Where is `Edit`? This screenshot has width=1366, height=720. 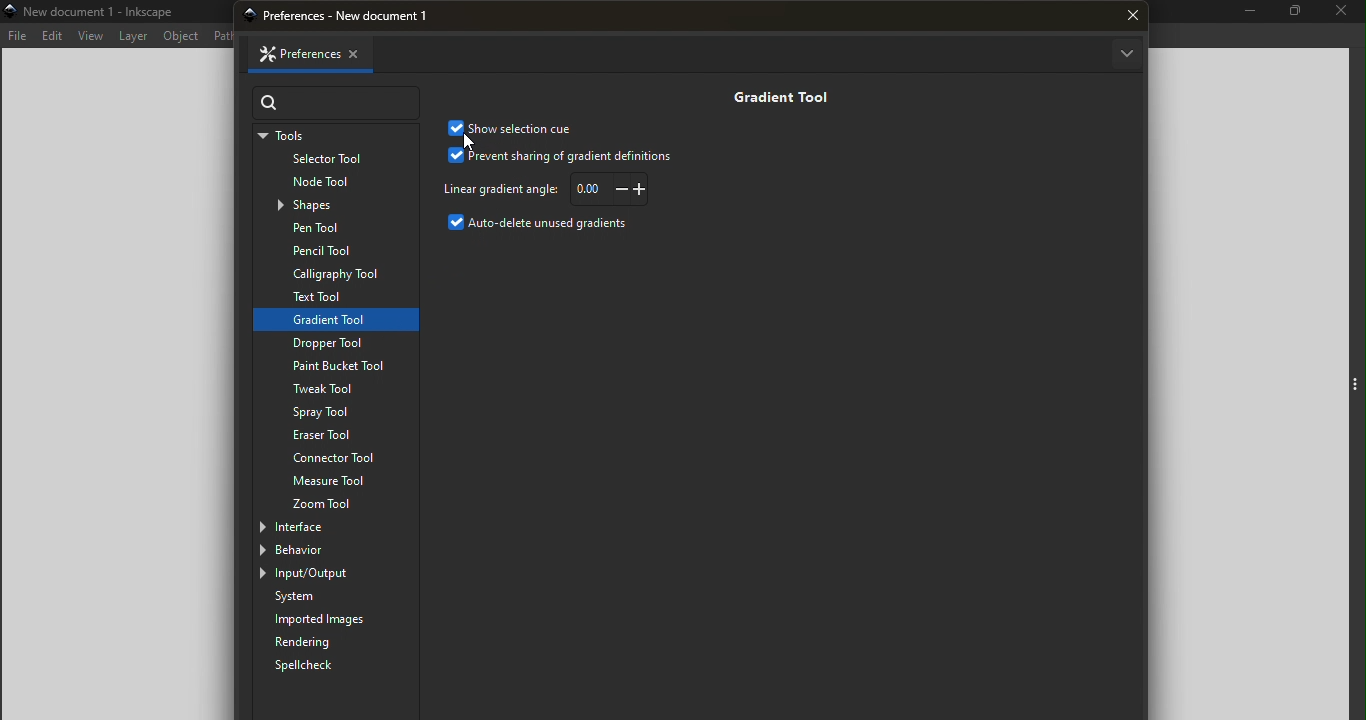
Edit is located at coordinates (52, 36).